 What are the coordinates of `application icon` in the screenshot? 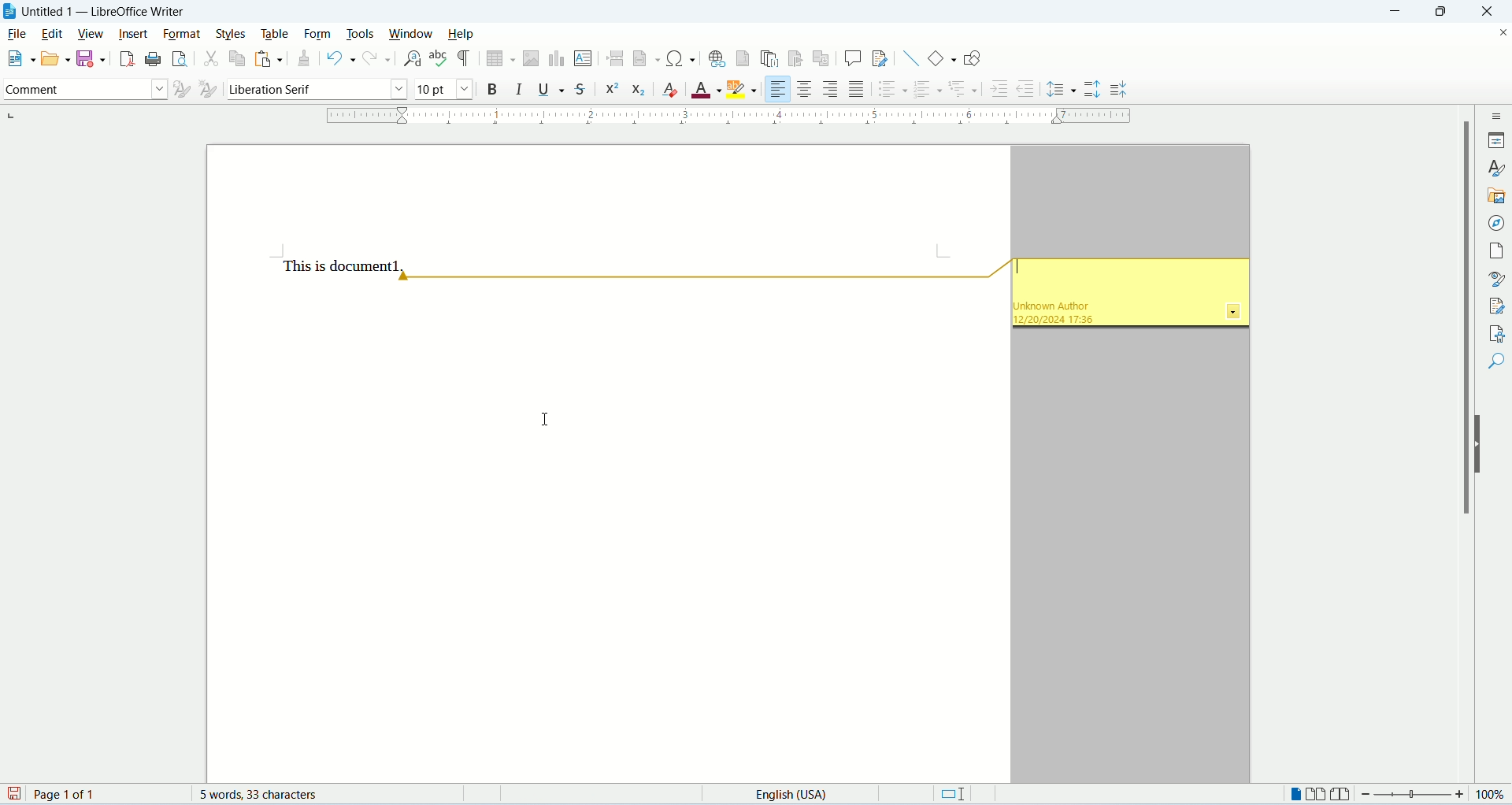 It's located at (9, 12).